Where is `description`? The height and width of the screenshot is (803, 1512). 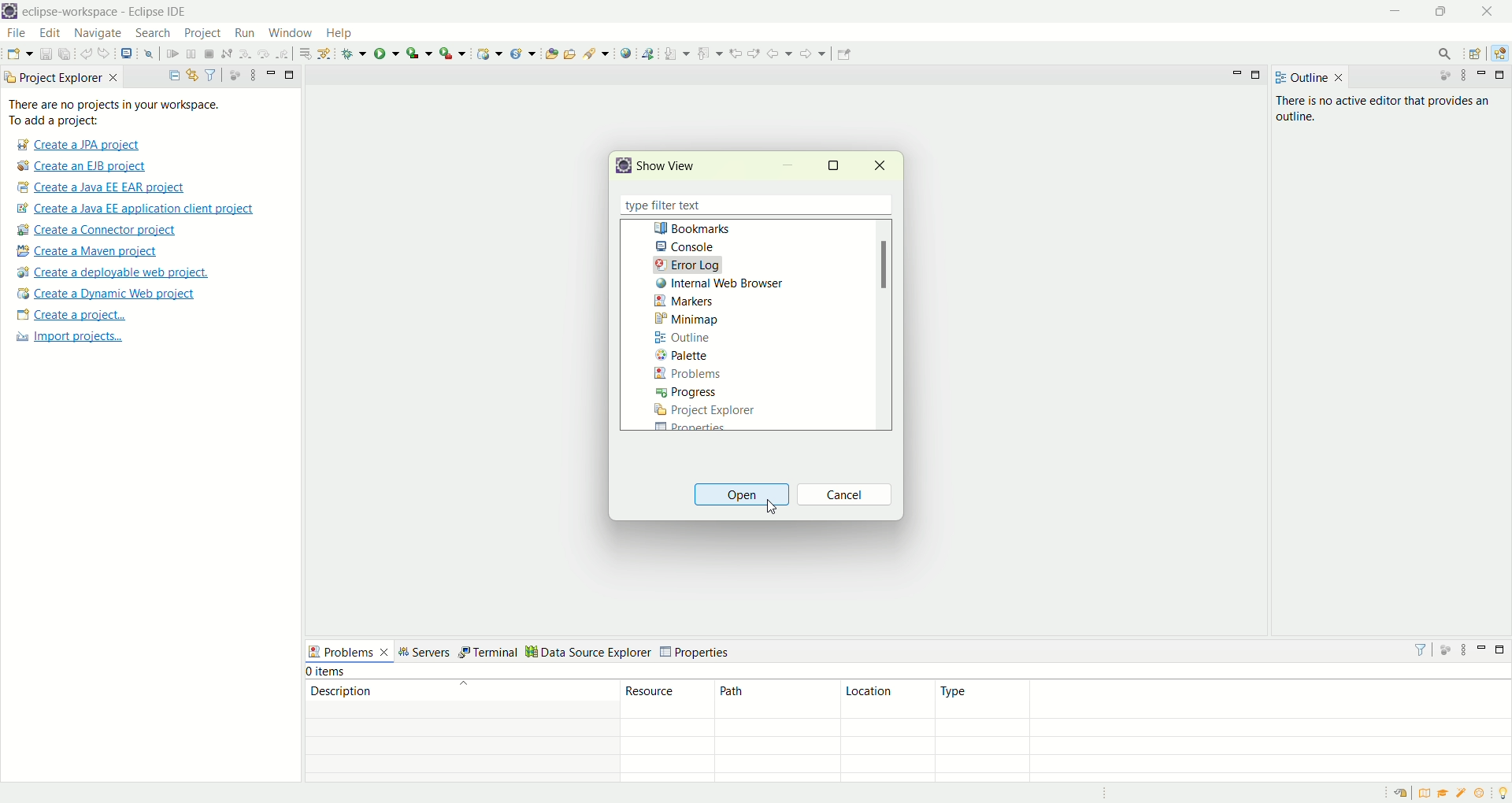
description is located at coordinates (459, 690).